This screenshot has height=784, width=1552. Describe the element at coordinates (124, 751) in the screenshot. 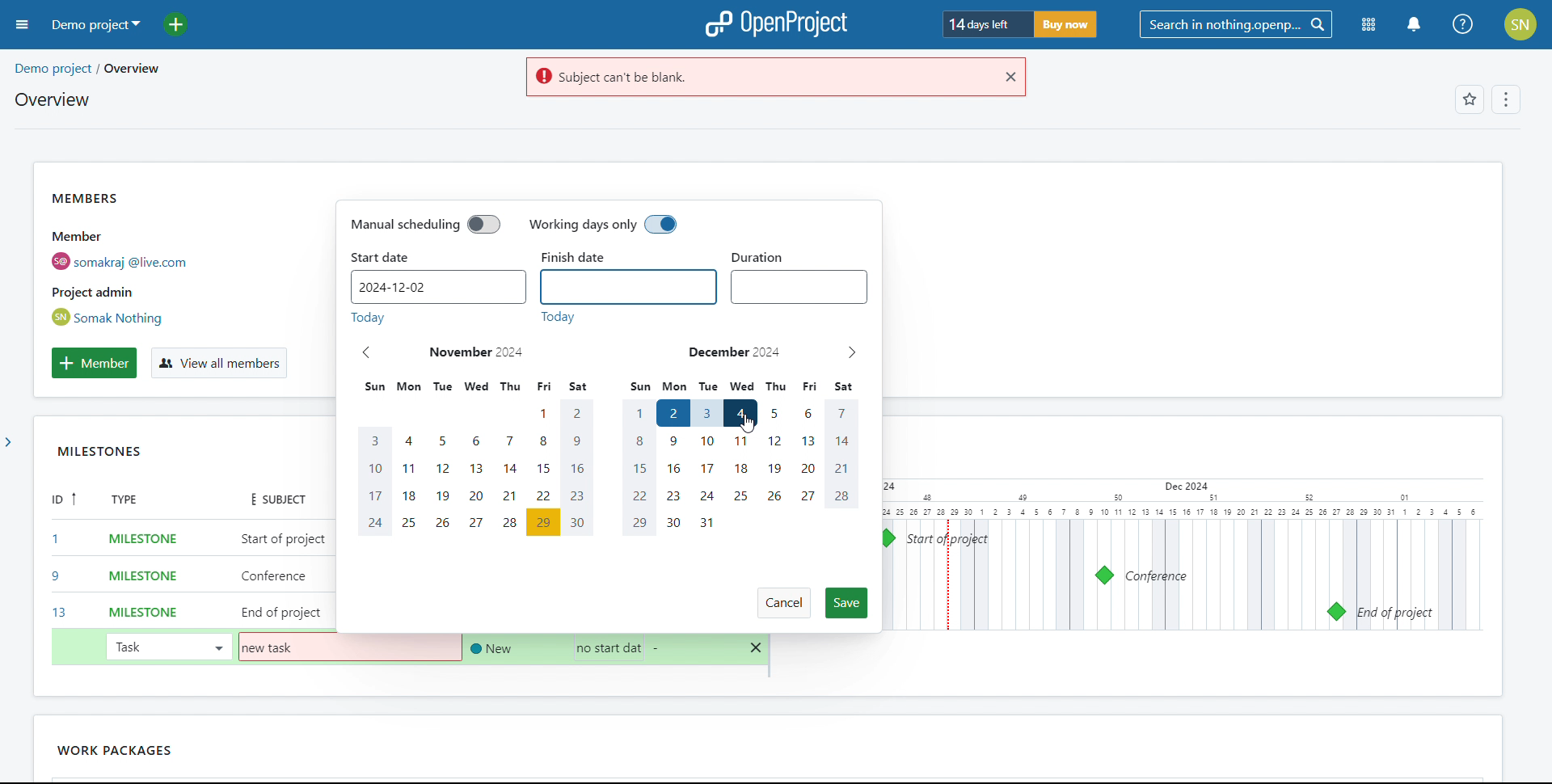

I see `work packages` at that location.